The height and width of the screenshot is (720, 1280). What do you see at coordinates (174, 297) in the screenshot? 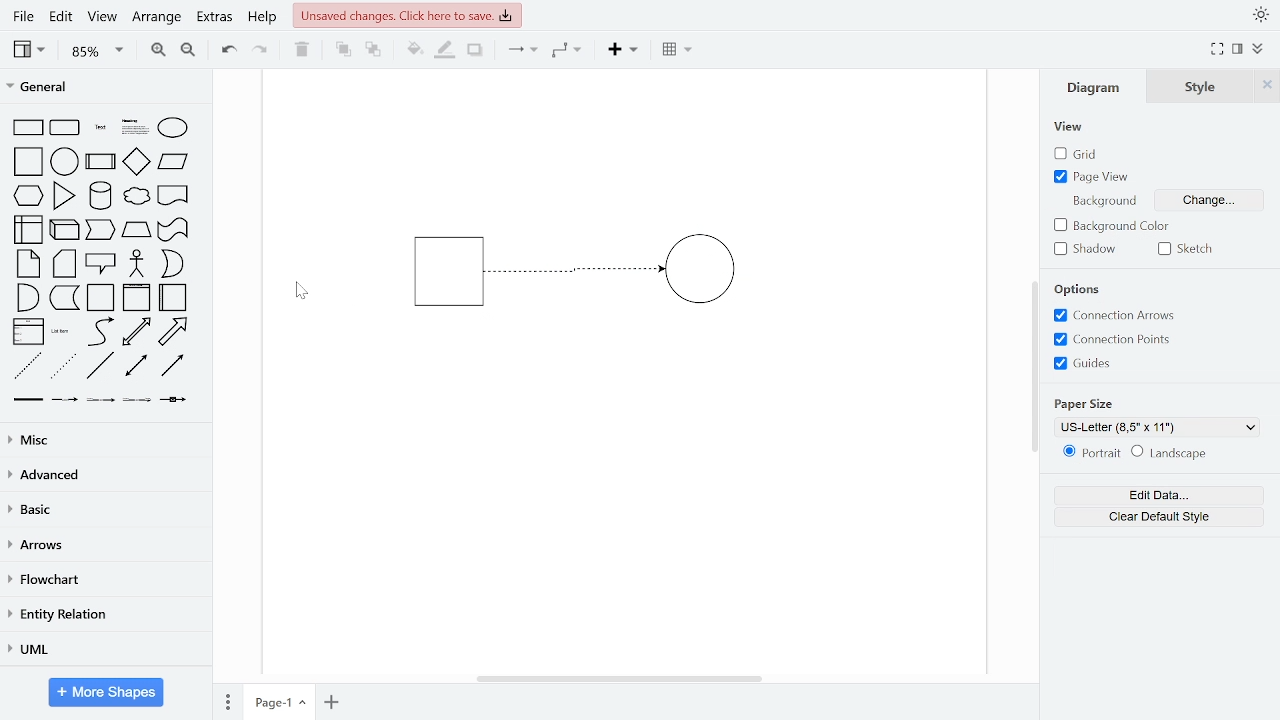
I see `horizontal container` at bounding box center [174, 297].